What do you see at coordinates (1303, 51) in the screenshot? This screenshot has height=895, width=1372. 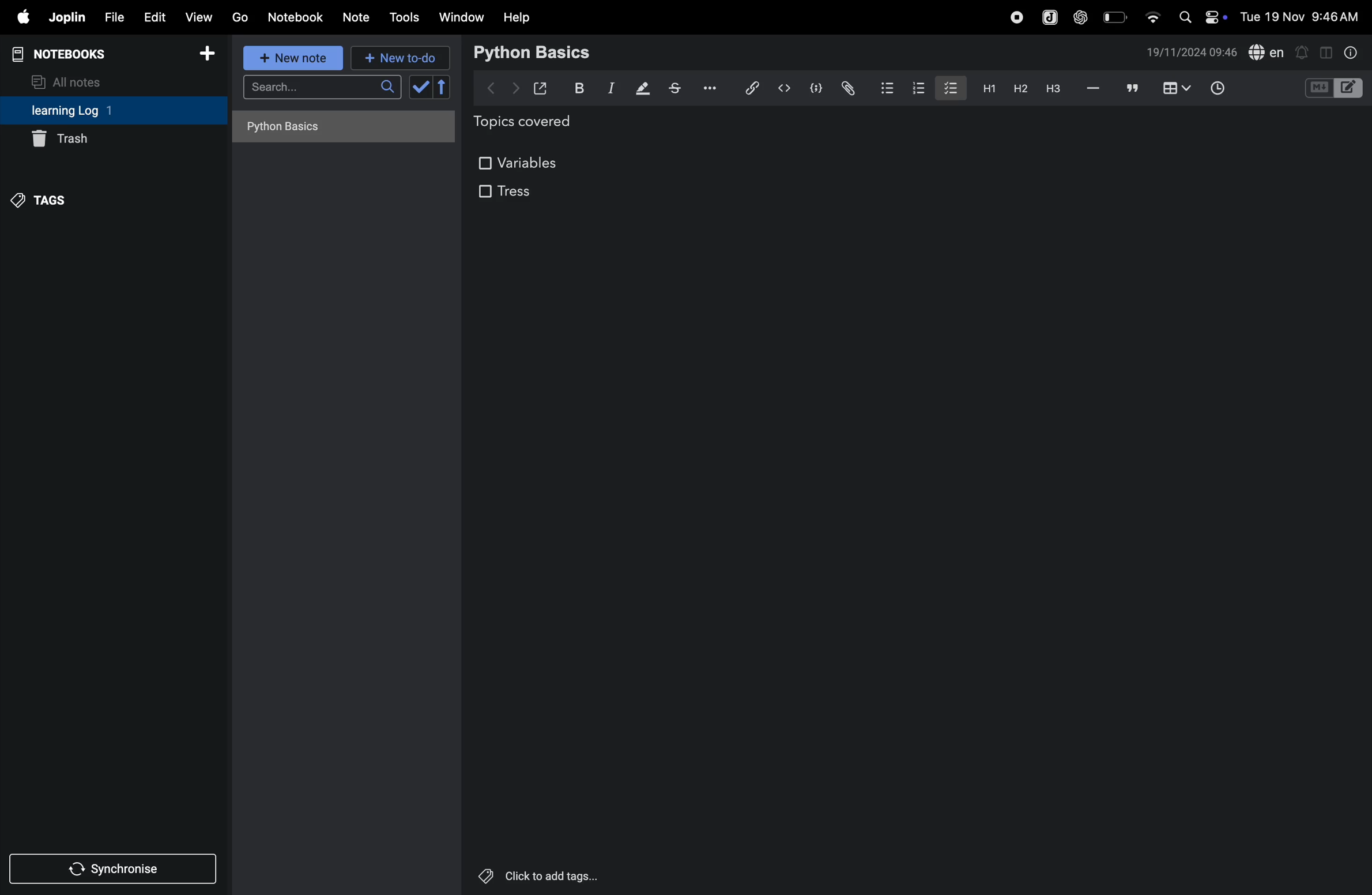 I see `alert` at bounding box center [1303, 51].